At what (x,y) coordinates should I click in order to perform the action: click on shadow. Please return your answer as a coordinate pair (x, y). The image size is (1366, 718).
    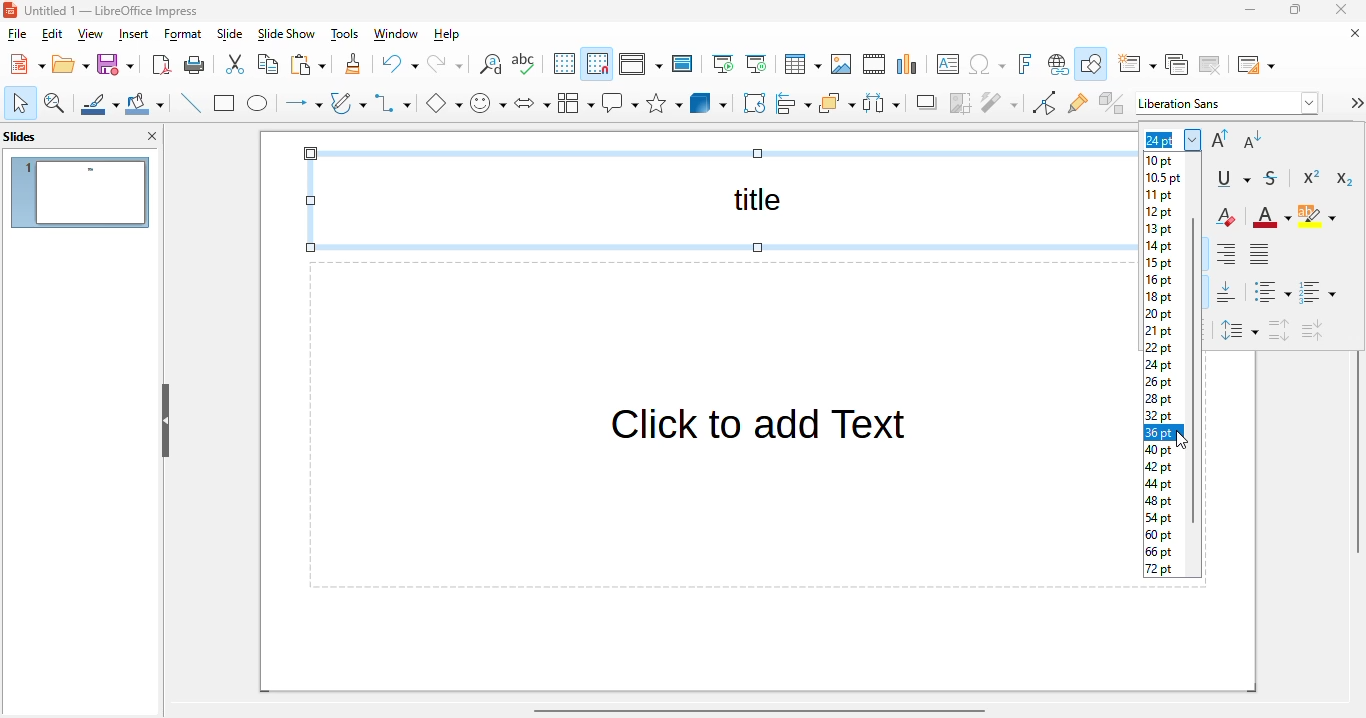
    Looking at the image, I should click on (925, 103).